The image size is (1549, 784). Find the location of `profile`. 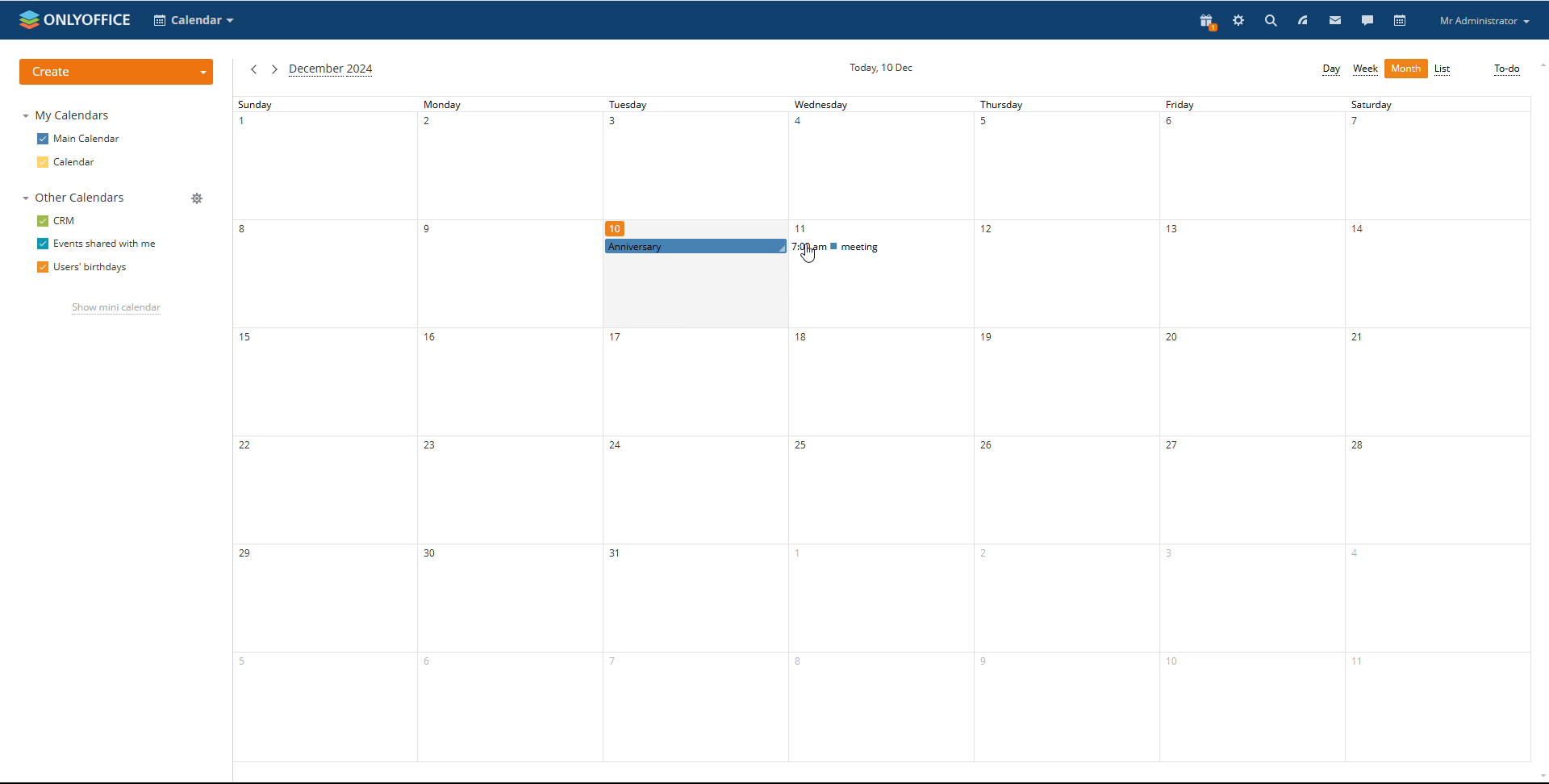

profile is located at coordinates (1484, 21).